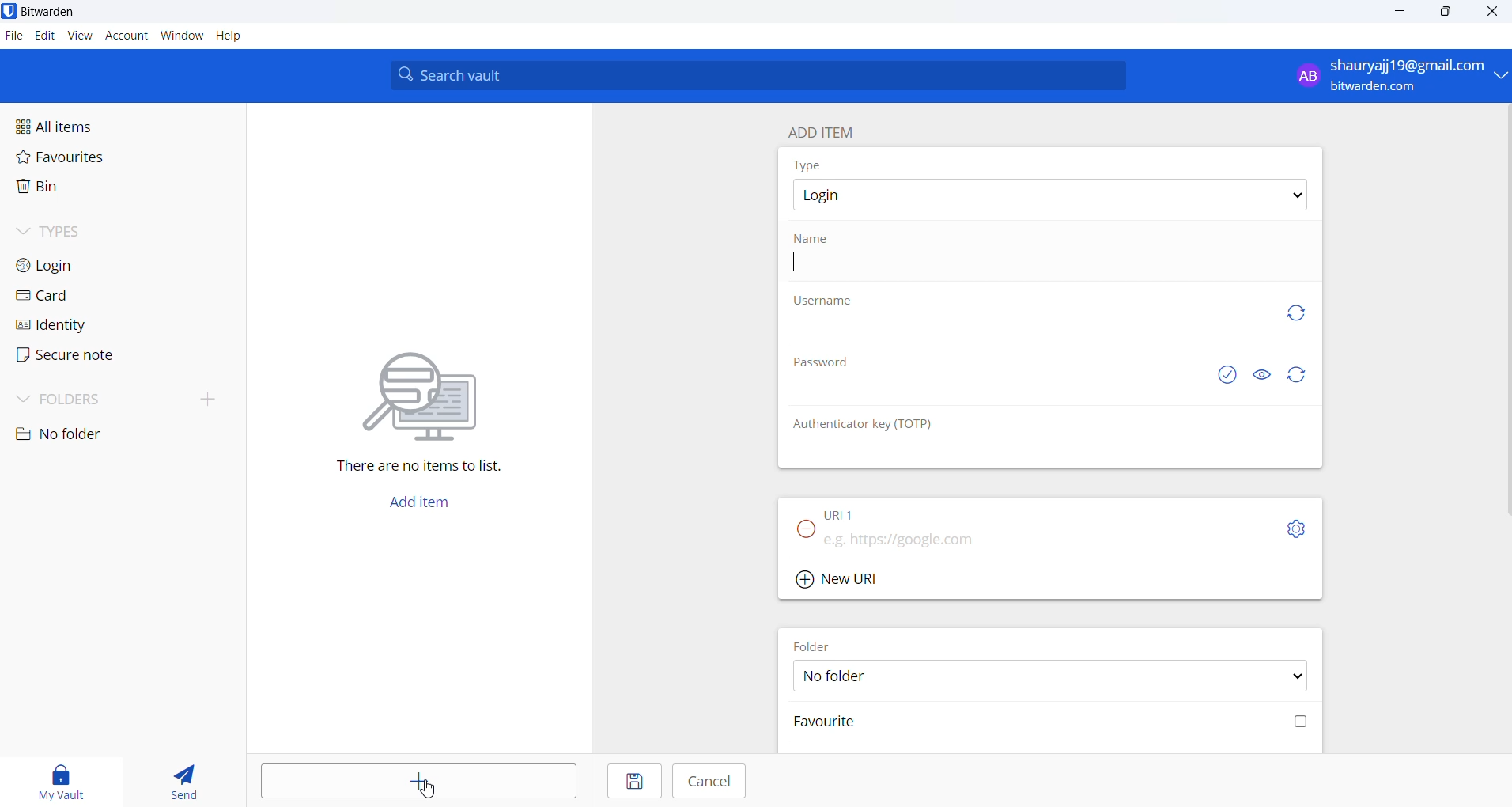  What do you see at coordinates (825, 302) in the screenshot?
I see `Username ` at bounding box center [825, 302].